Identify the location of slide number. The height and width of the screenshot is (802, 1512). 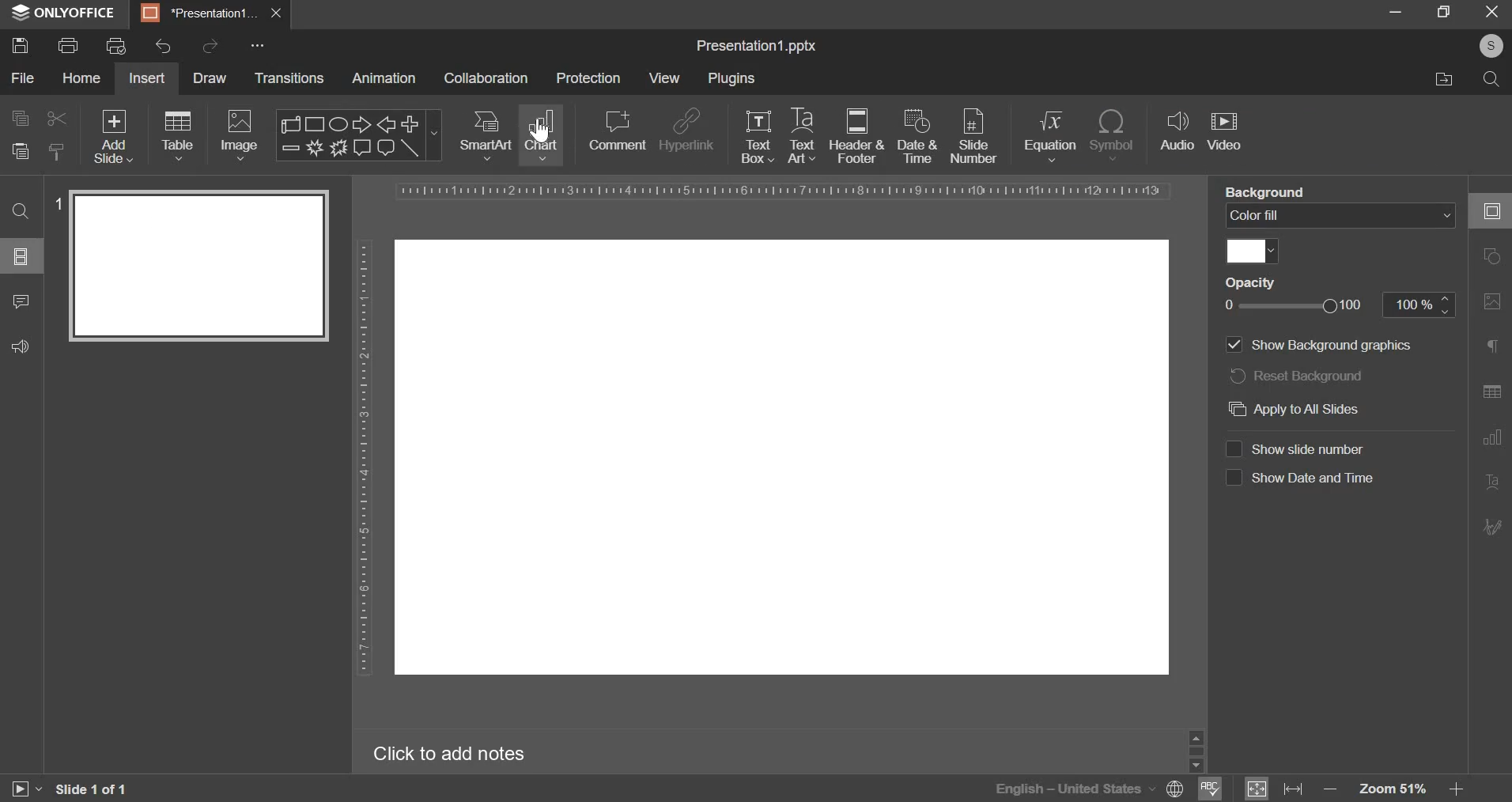
(57, 202).